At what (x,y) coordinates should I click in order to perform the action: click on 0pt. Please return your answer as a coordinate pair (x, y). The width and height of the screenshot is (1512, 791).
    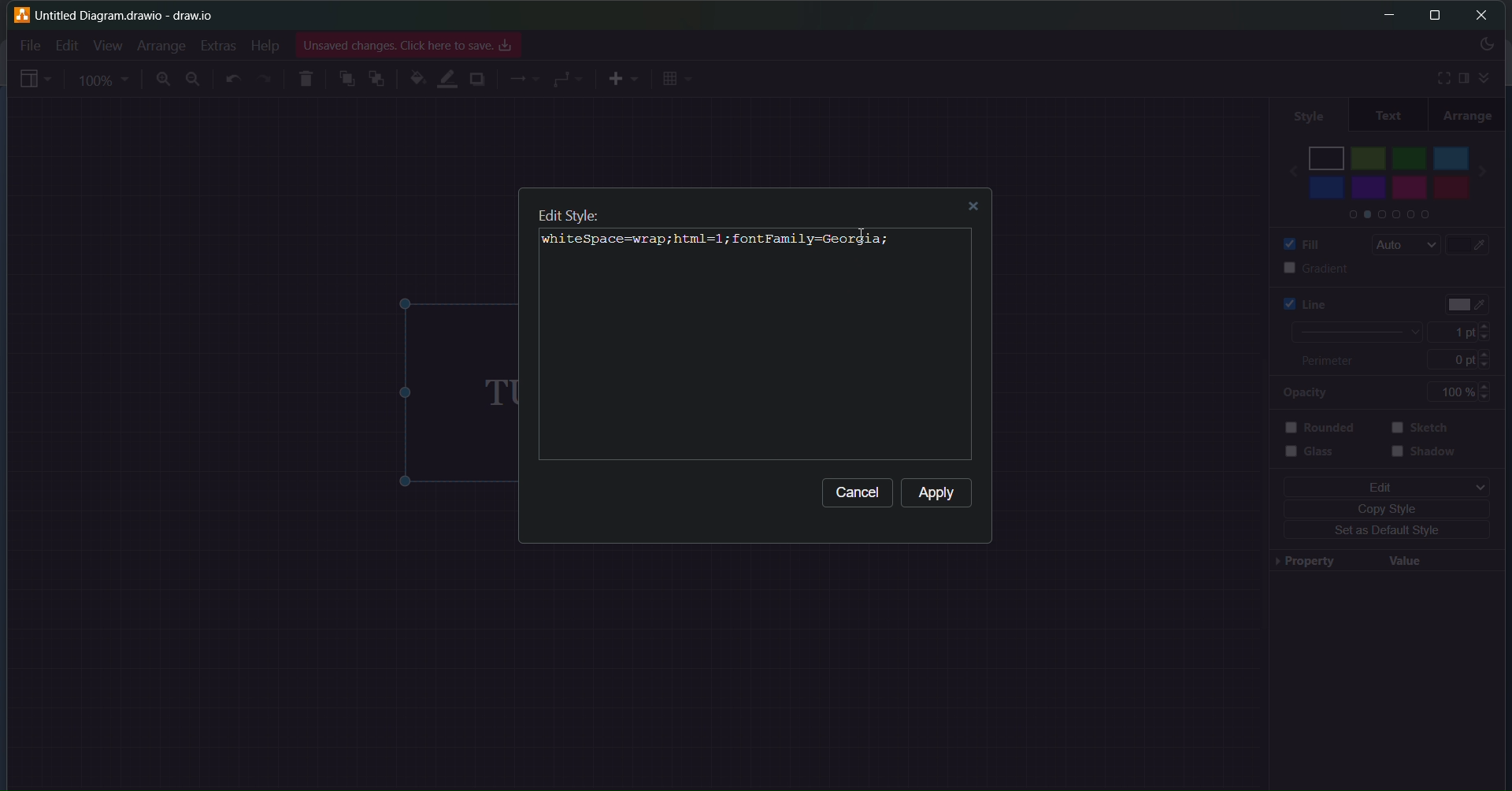
    Looking at the image, I should click on (1471, 358).